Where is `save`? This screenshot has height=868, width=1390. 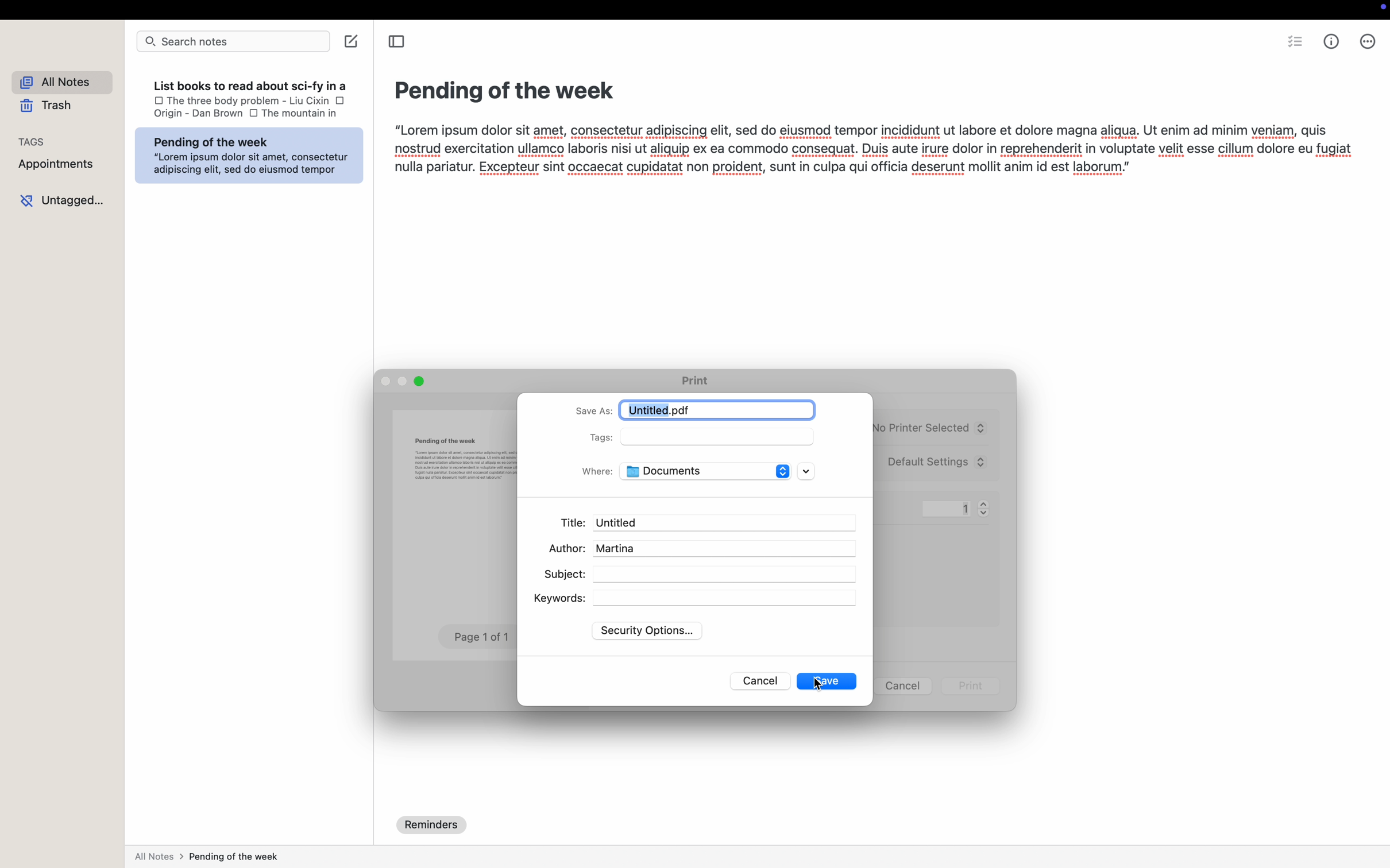 save is located at coordinates (829, 681).